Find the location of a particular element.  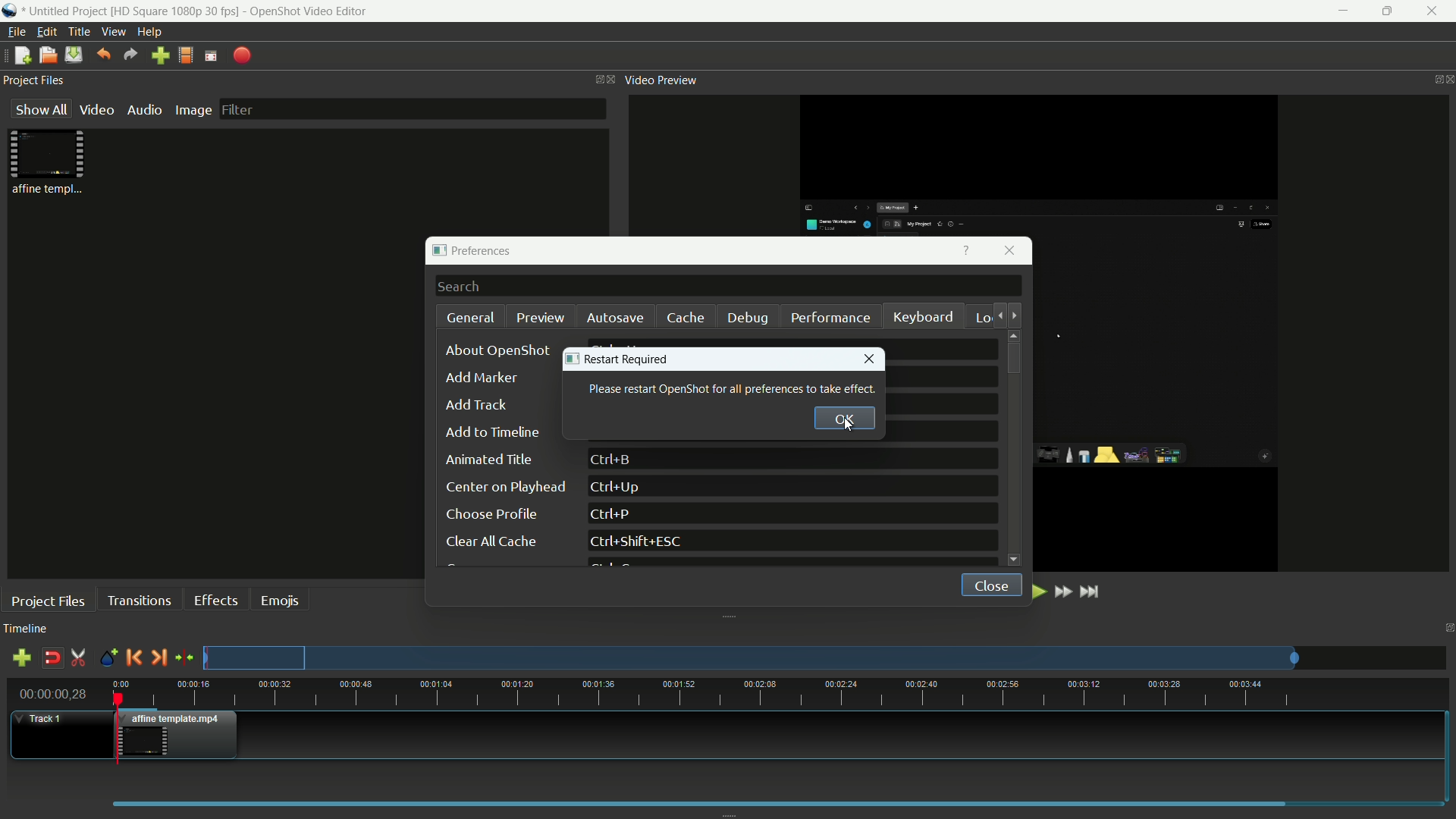

close video preview is located at coordinates (1447, 80).